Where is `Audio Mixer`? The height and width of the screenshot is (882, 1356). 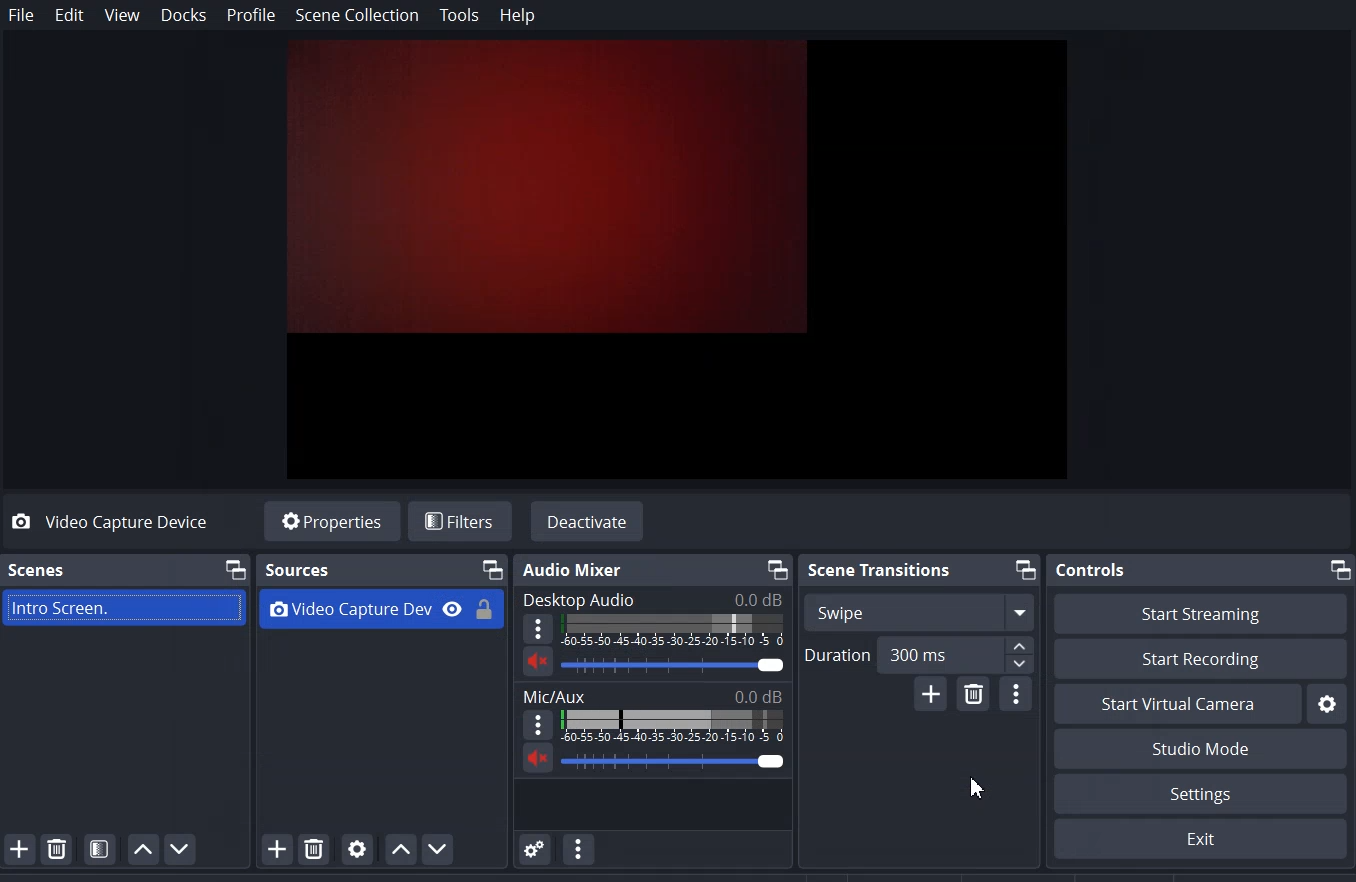
Audio Mixer is located at coordinates (580, 568).